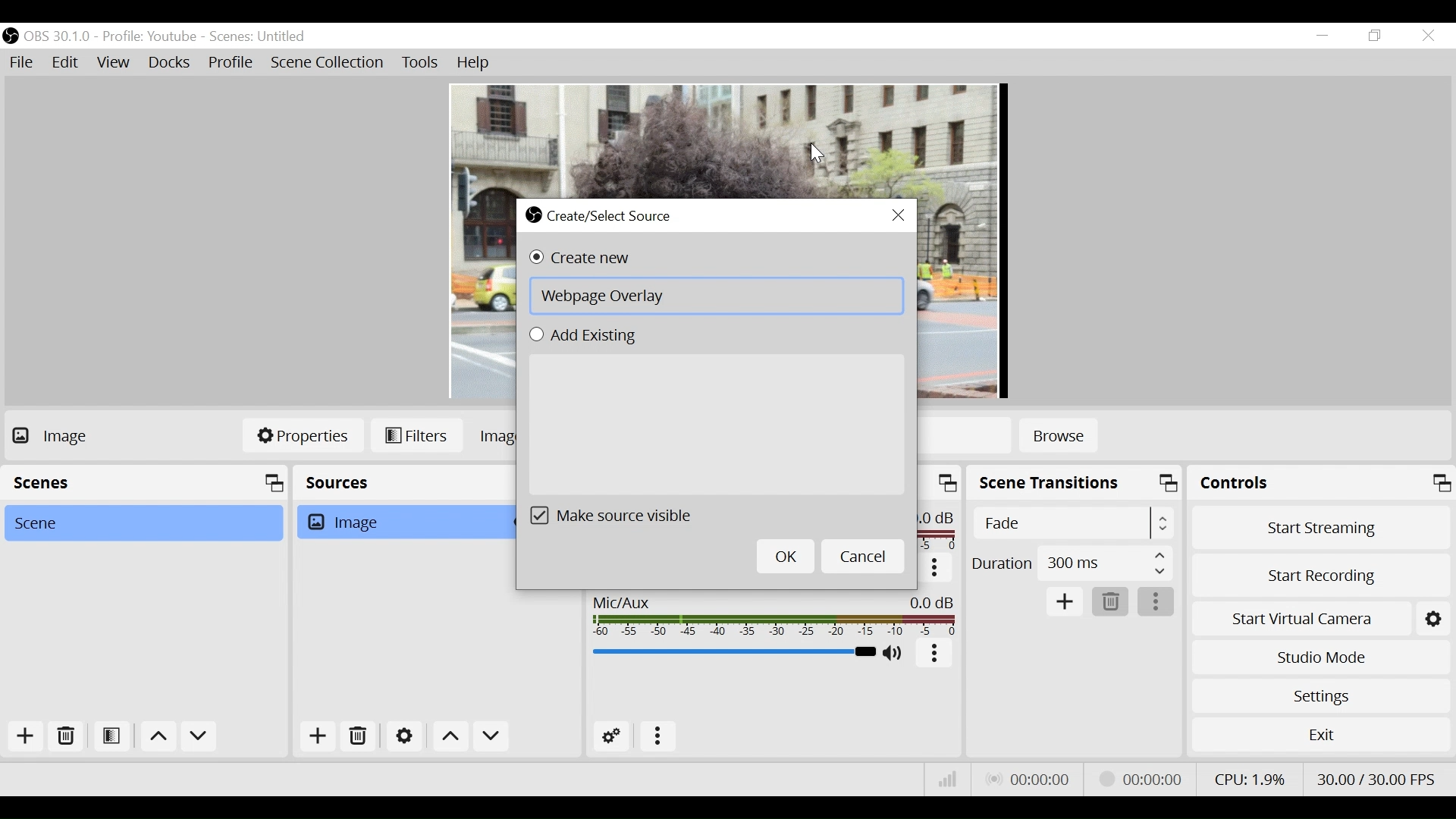 The height and width of the screenshot is (819, 1456). I want to click on Cursor, so click(817, 155).